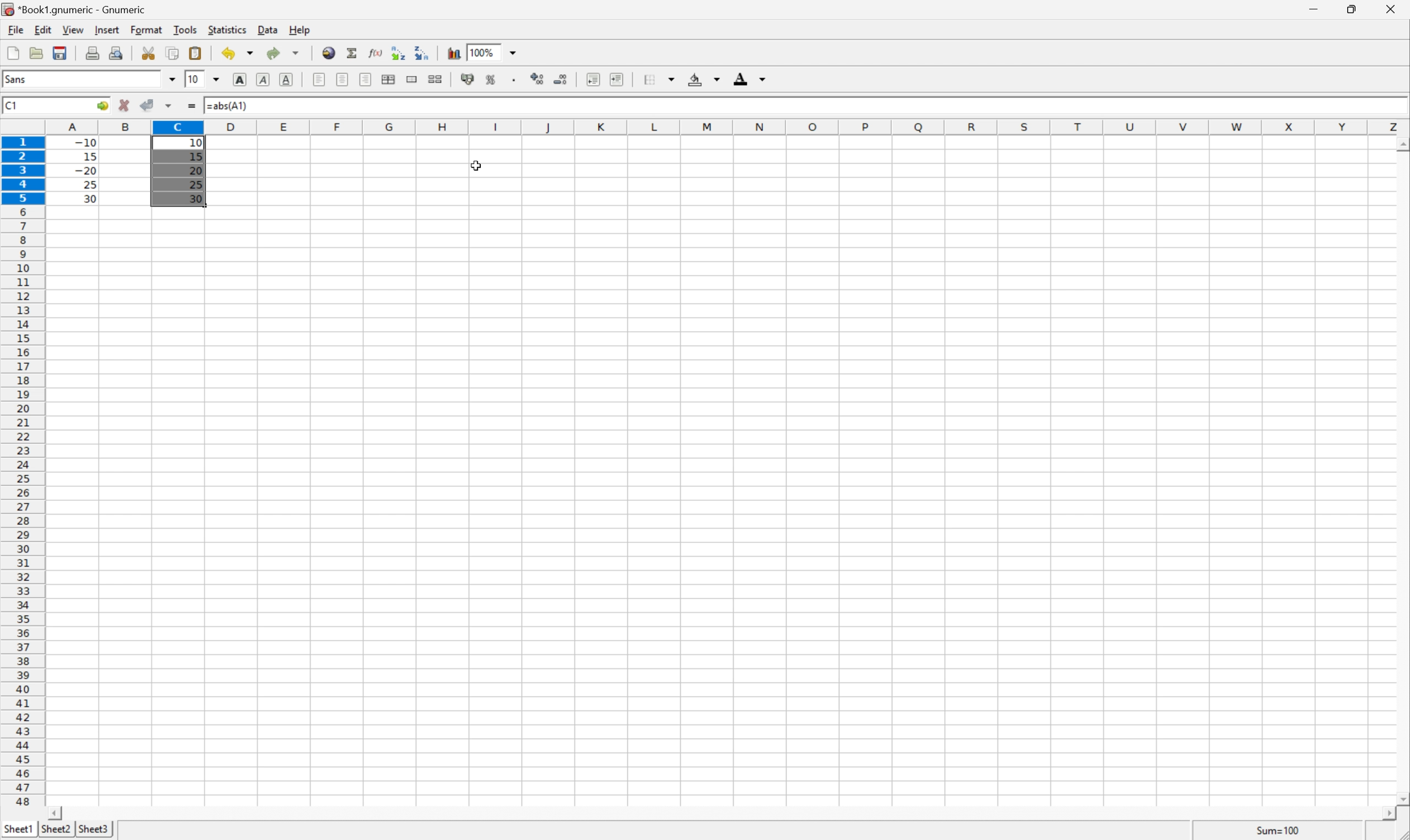 The image size is (1410, 840). I want to click on 15, so click(195, 155).